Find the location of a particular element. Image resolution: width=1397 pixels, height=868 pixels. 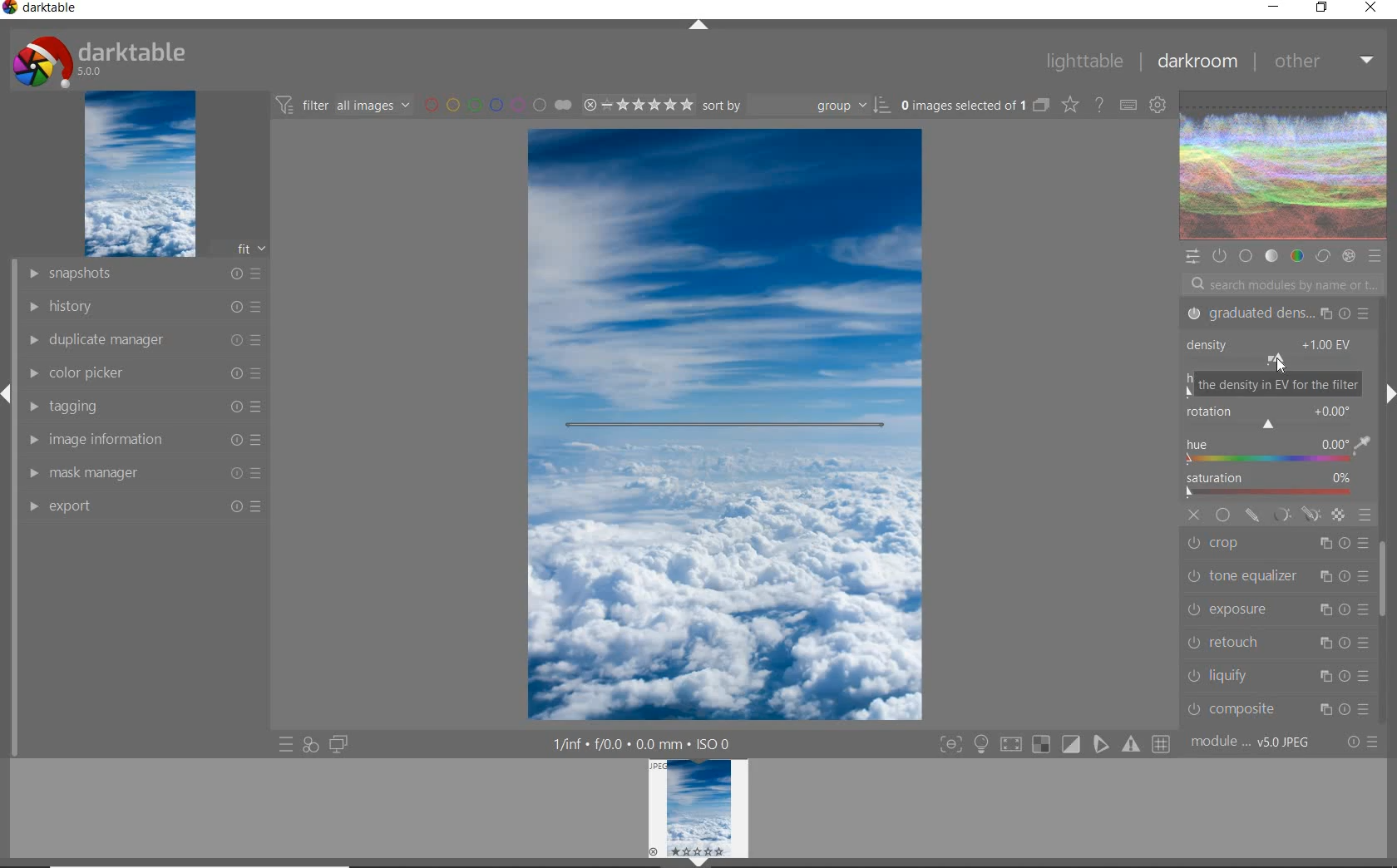

THE DENSITY IN EV FOR THE FILTER is located at coordinates (1277, 384).